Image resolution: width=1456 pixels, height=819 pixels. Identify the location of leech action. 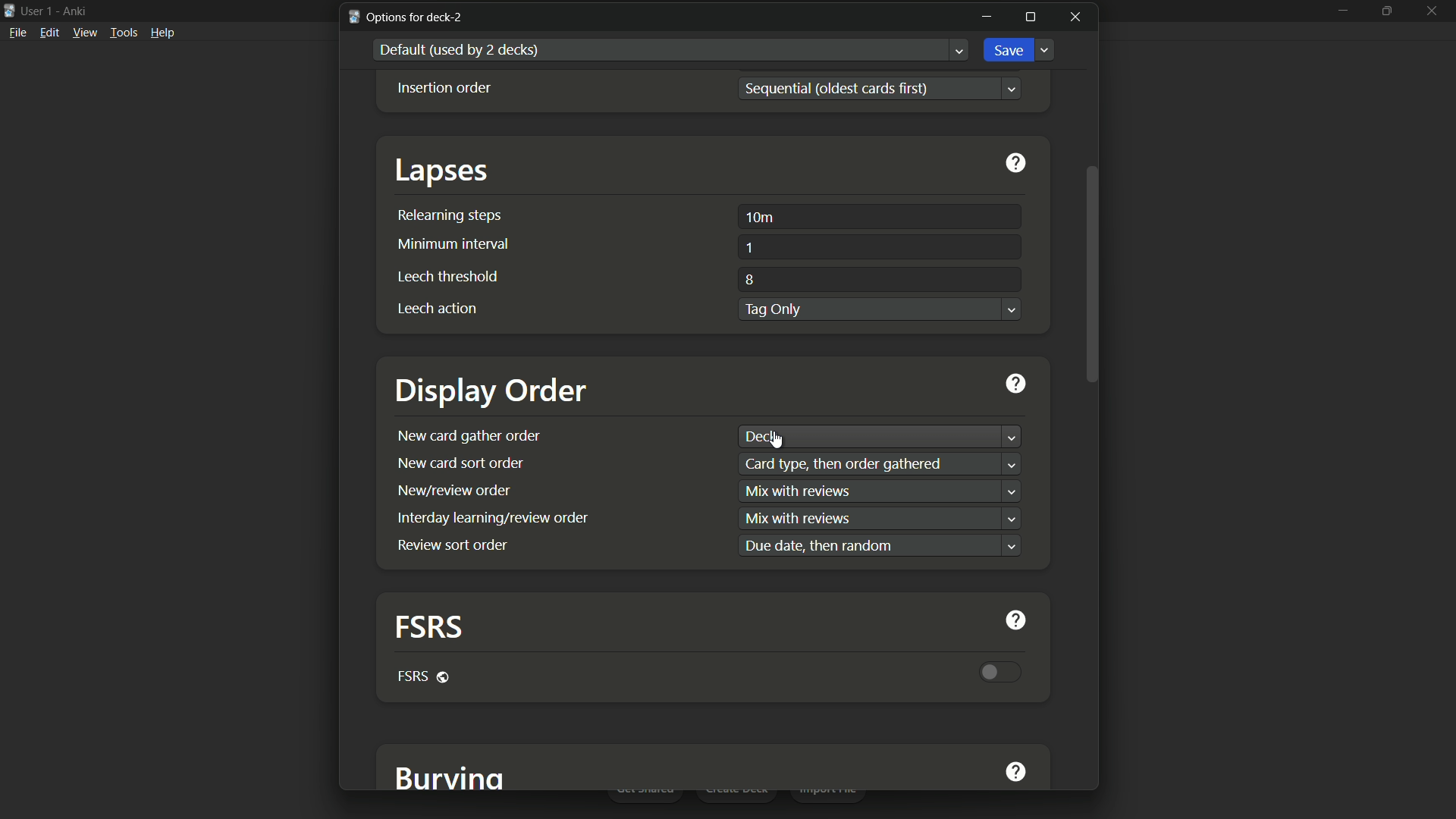
(435, 308).